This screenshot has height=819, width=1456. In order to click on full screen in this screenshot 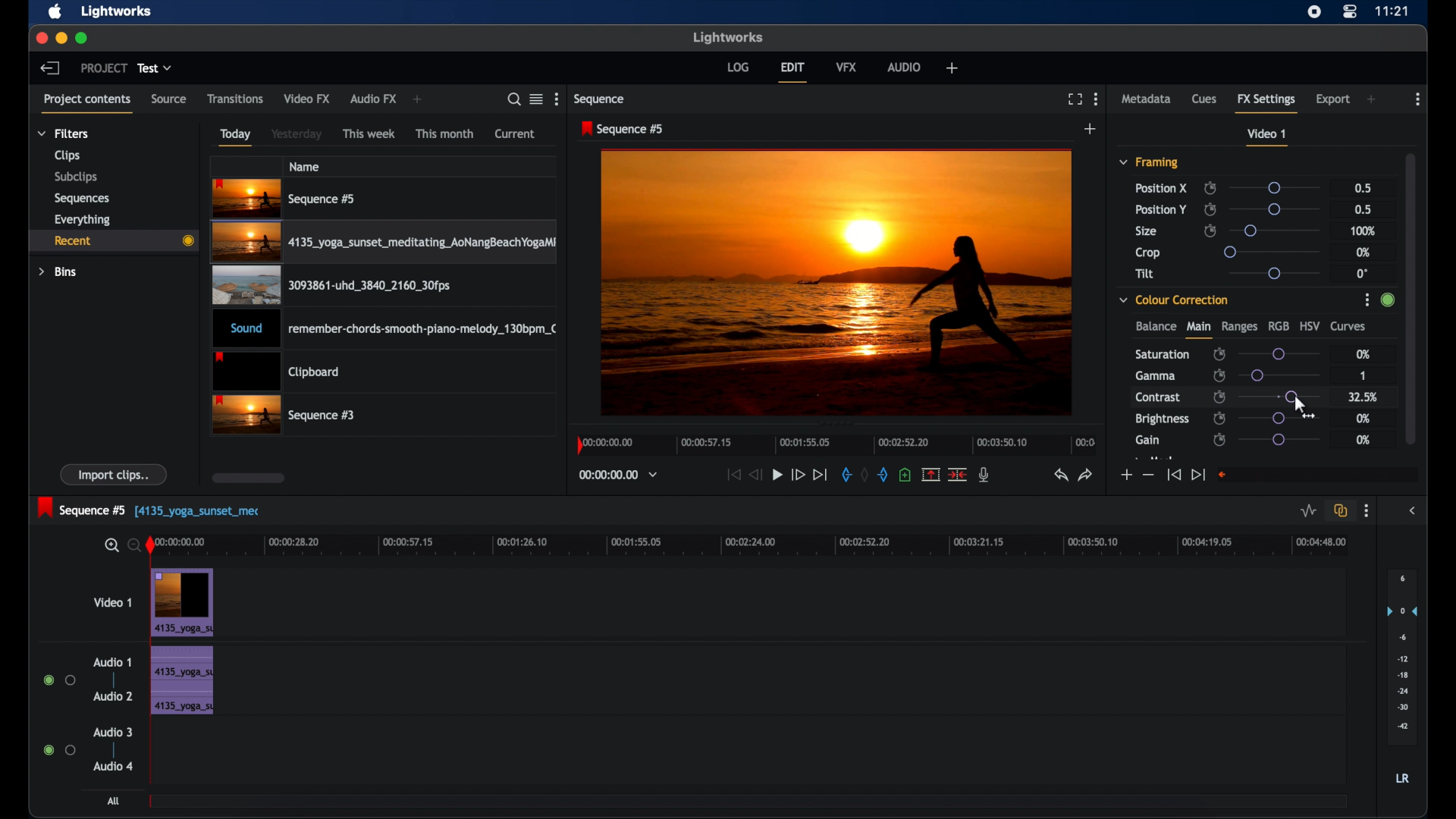, I will do `click(1075, 99)`.